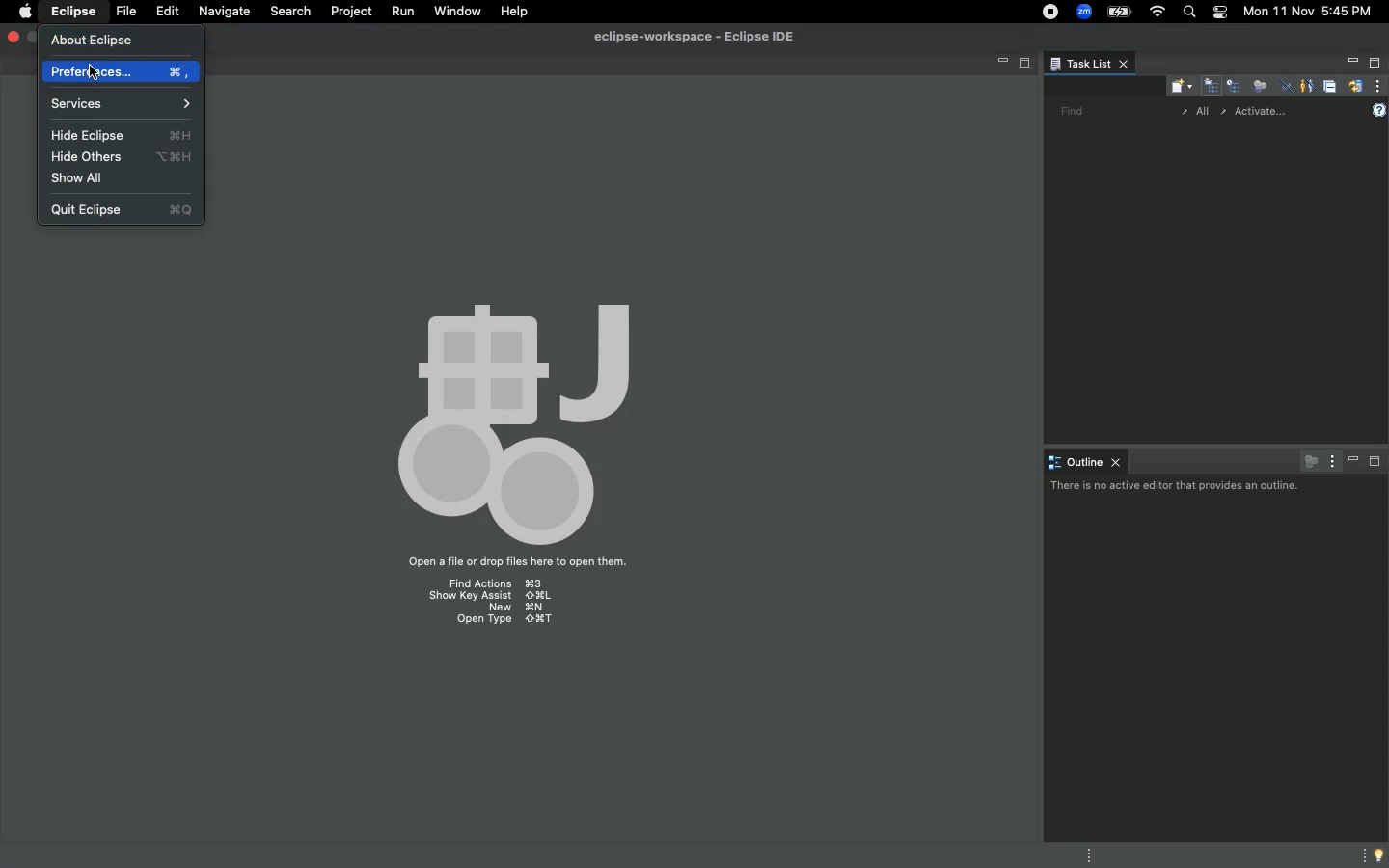 This screenshot has width=1389, height=868. Describe the element at coordinates (1331, 461) in the screenshot. I see `View menu` at that location.